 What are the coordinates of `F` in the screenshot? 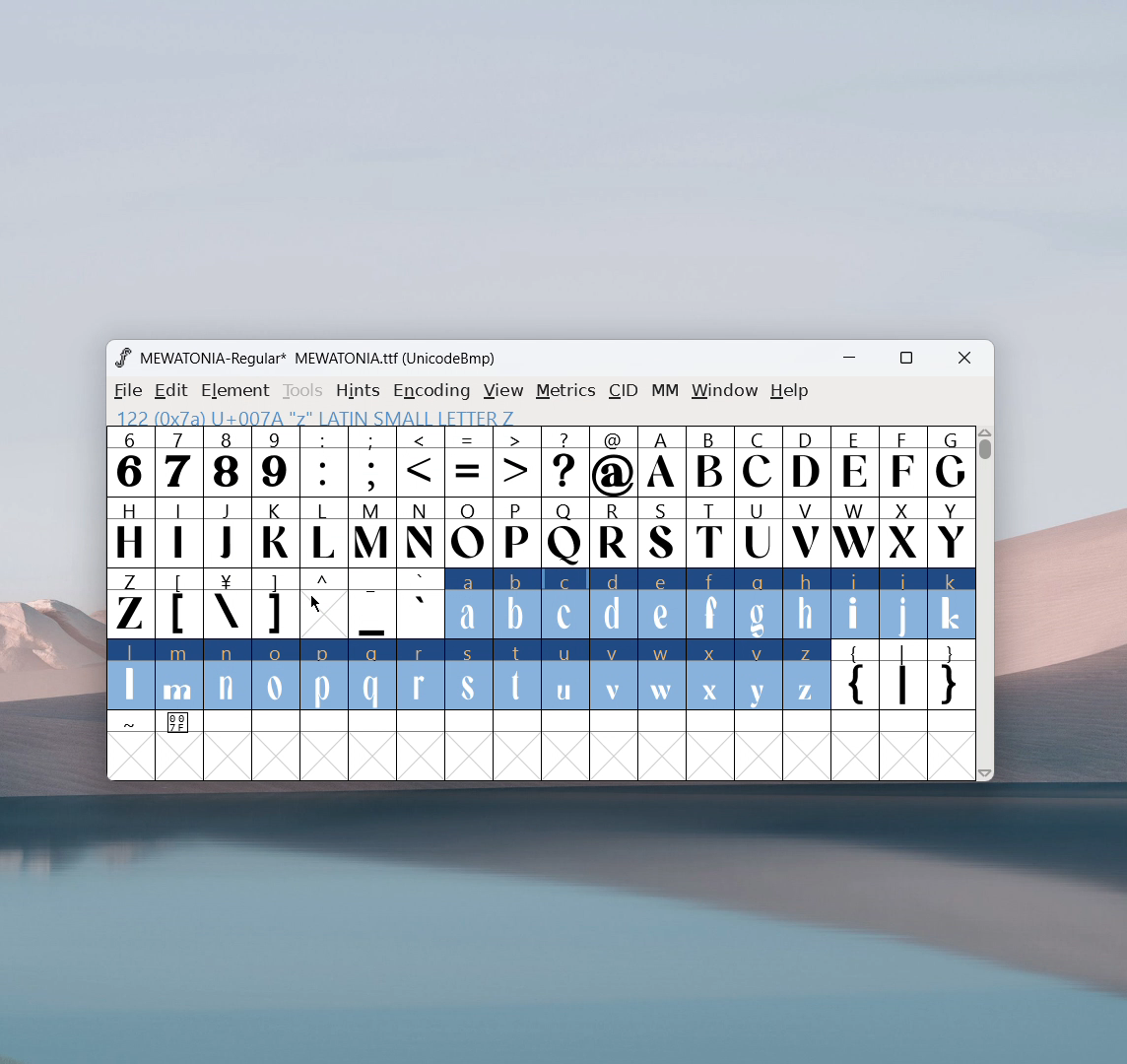 It's located at (901, 460).